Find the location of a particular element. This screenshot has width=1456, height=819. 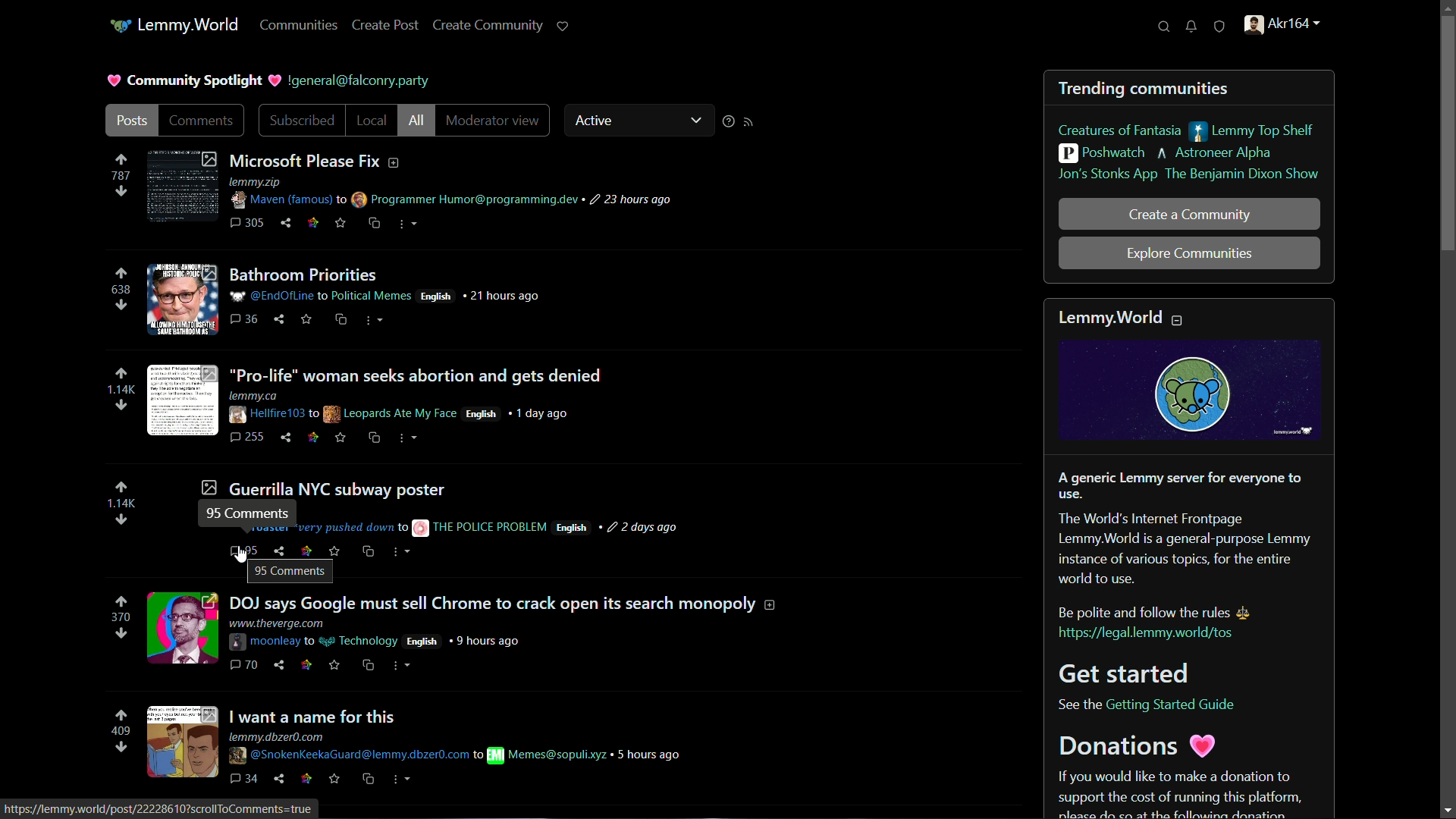

text is located at coordinates (160, 810).